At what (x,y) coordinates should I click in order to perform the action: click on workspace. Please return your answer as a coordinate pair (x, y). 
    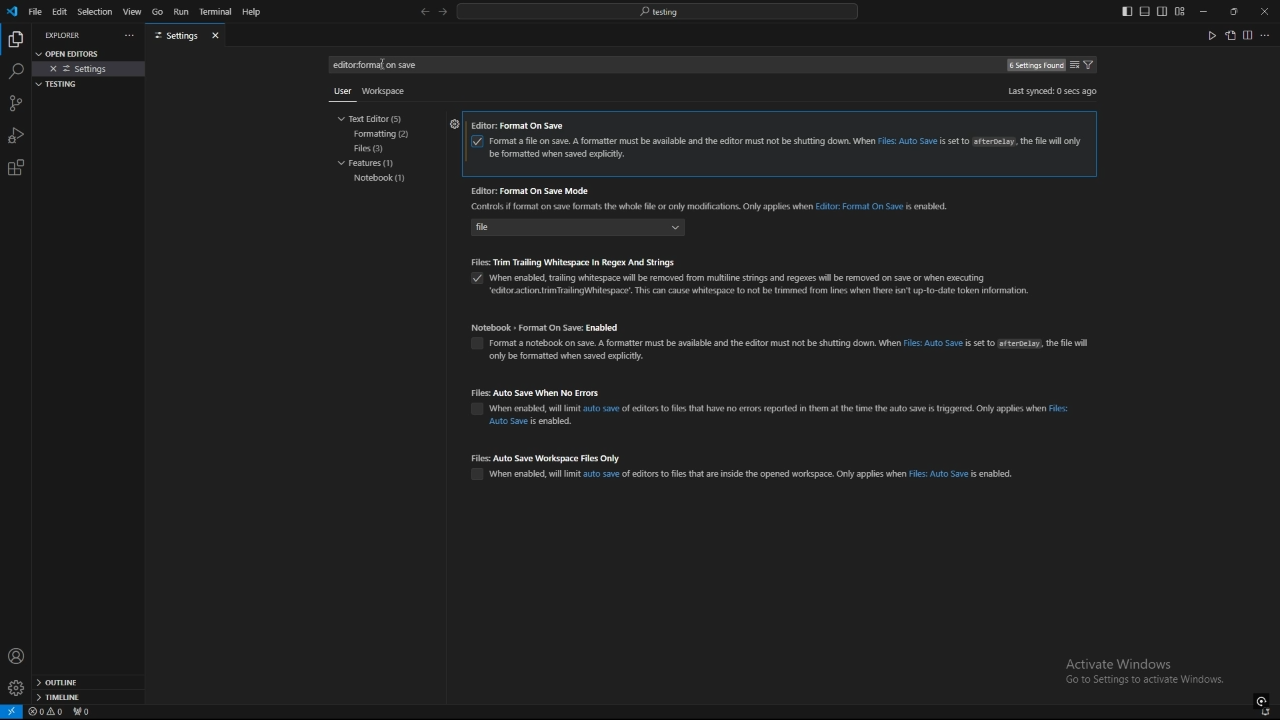
    Looking at the image, I should click on (388, 89).